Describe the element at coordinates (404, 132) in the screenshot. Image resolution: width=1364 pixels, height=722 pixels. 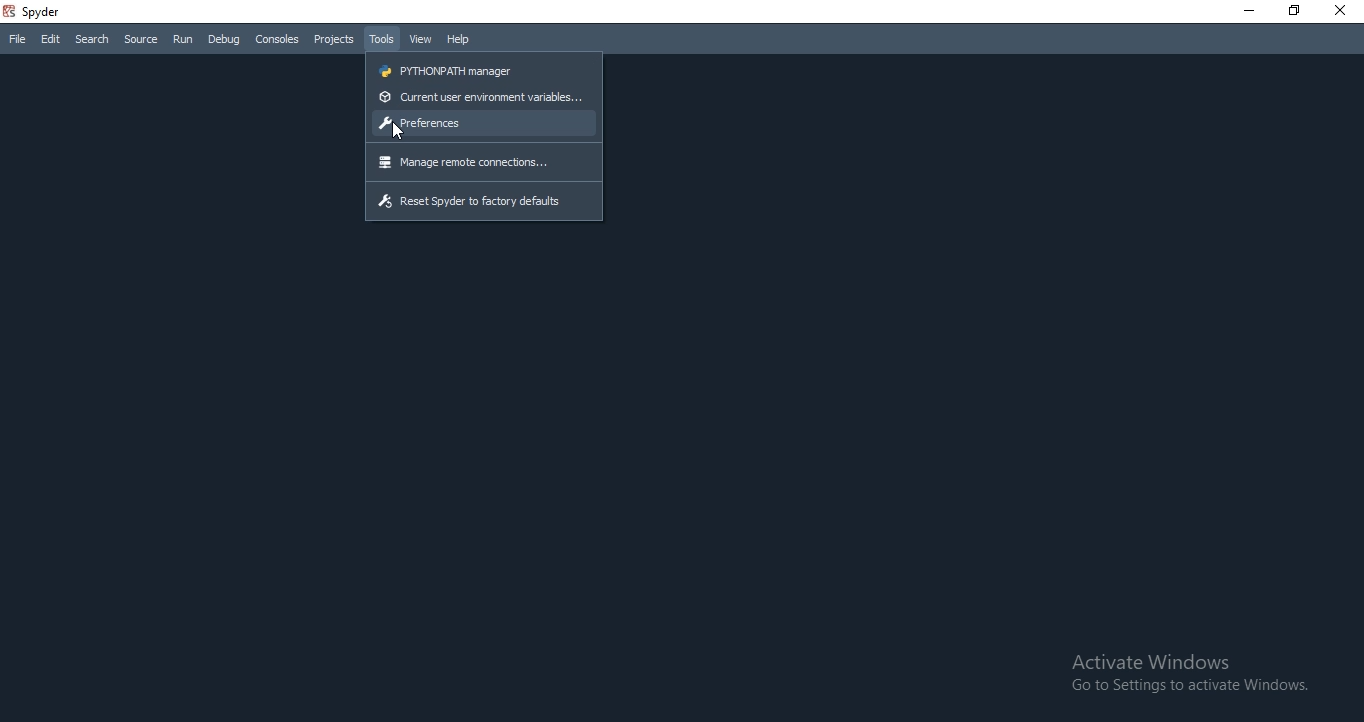
I see `cursor` at that location.